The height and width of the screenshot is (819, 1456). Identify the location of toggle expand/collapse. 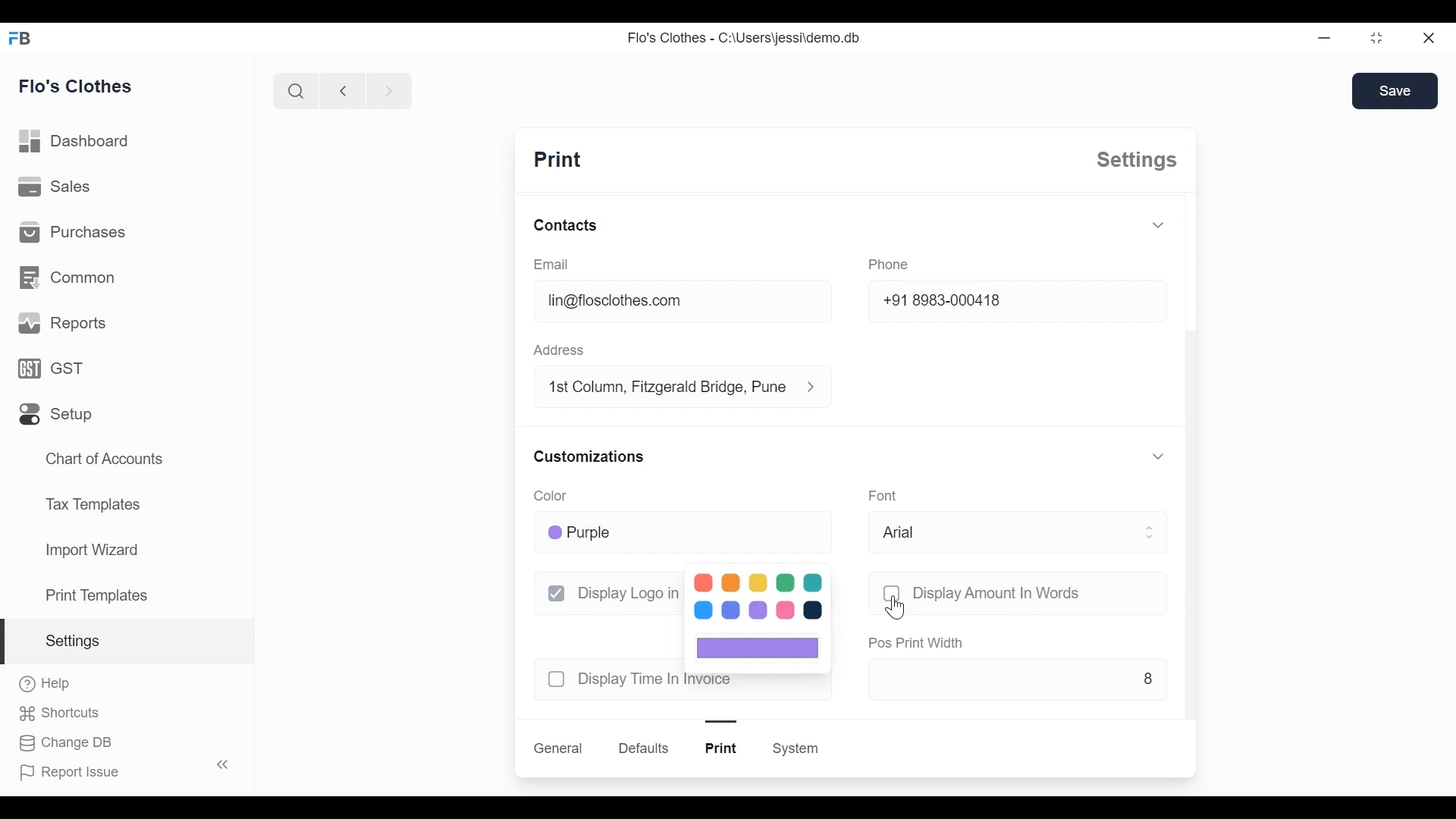
(1158, 224).